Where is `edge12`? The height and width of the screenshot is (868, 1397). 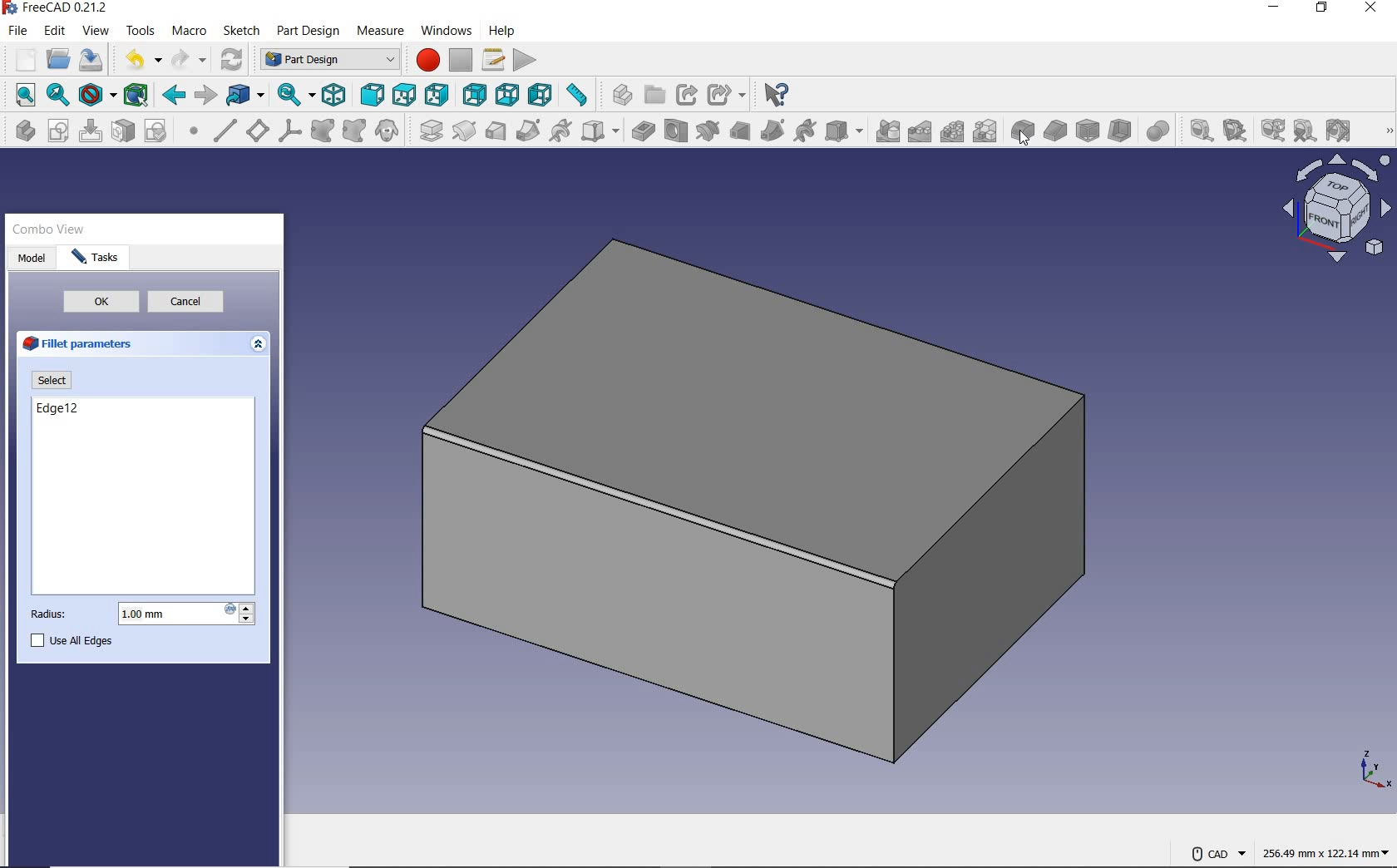 edge12 is located at coordinates (54, 408).